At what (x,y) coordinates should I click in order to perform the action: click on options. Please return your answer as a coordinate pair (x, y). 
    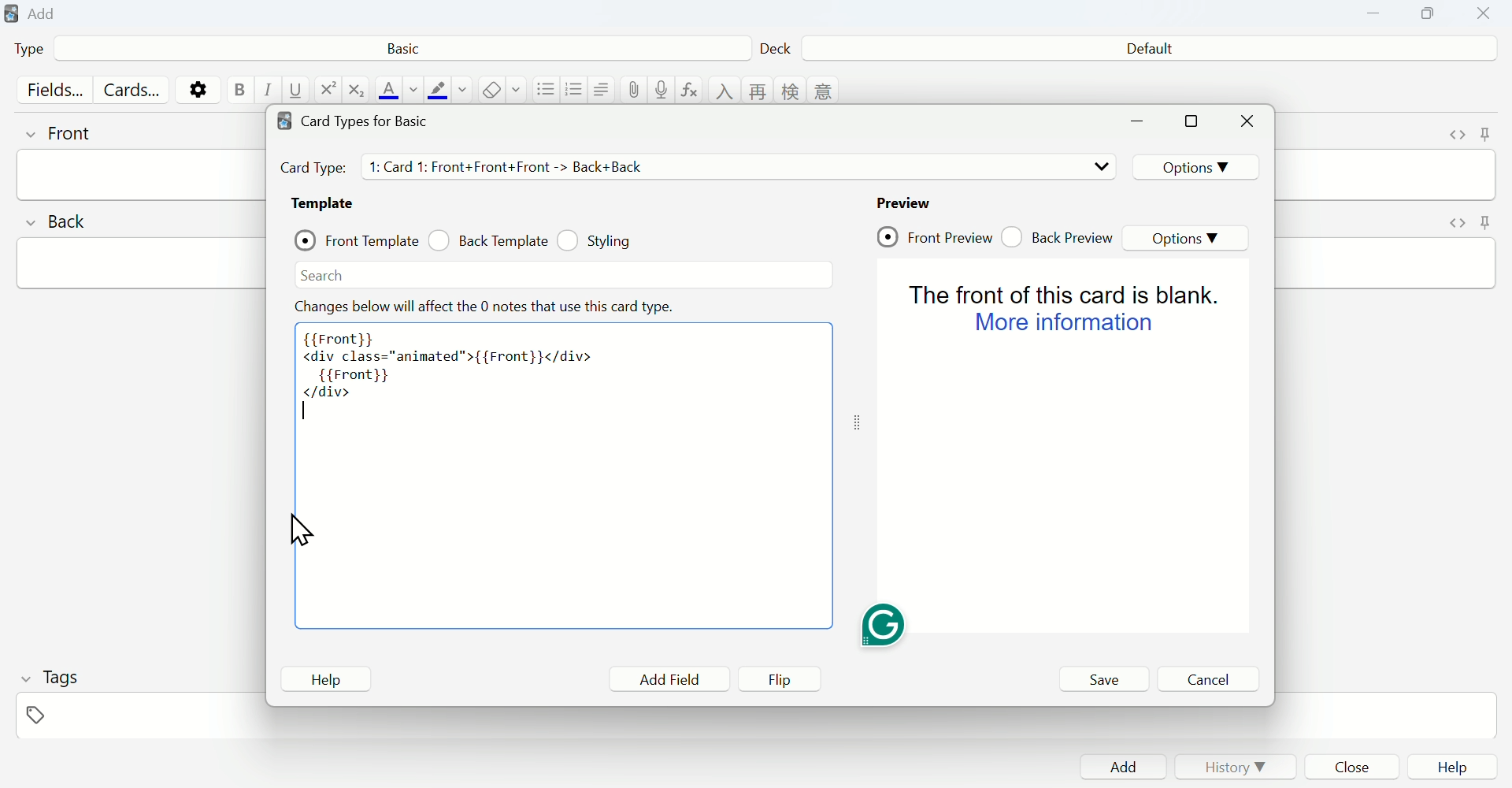
    Looking at the image, I should click on (197, 90).